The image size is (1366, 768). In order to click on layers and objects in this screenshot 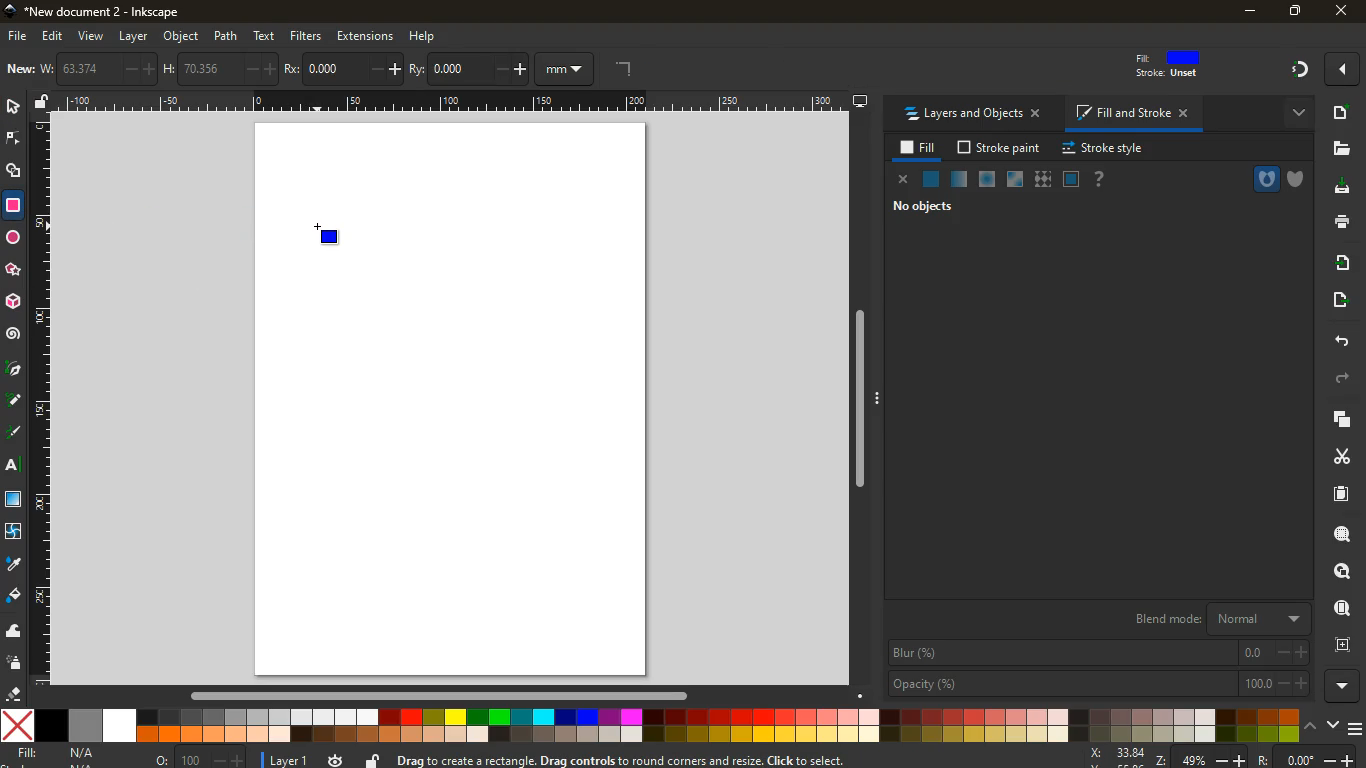, I will do `click(972, 115)`.